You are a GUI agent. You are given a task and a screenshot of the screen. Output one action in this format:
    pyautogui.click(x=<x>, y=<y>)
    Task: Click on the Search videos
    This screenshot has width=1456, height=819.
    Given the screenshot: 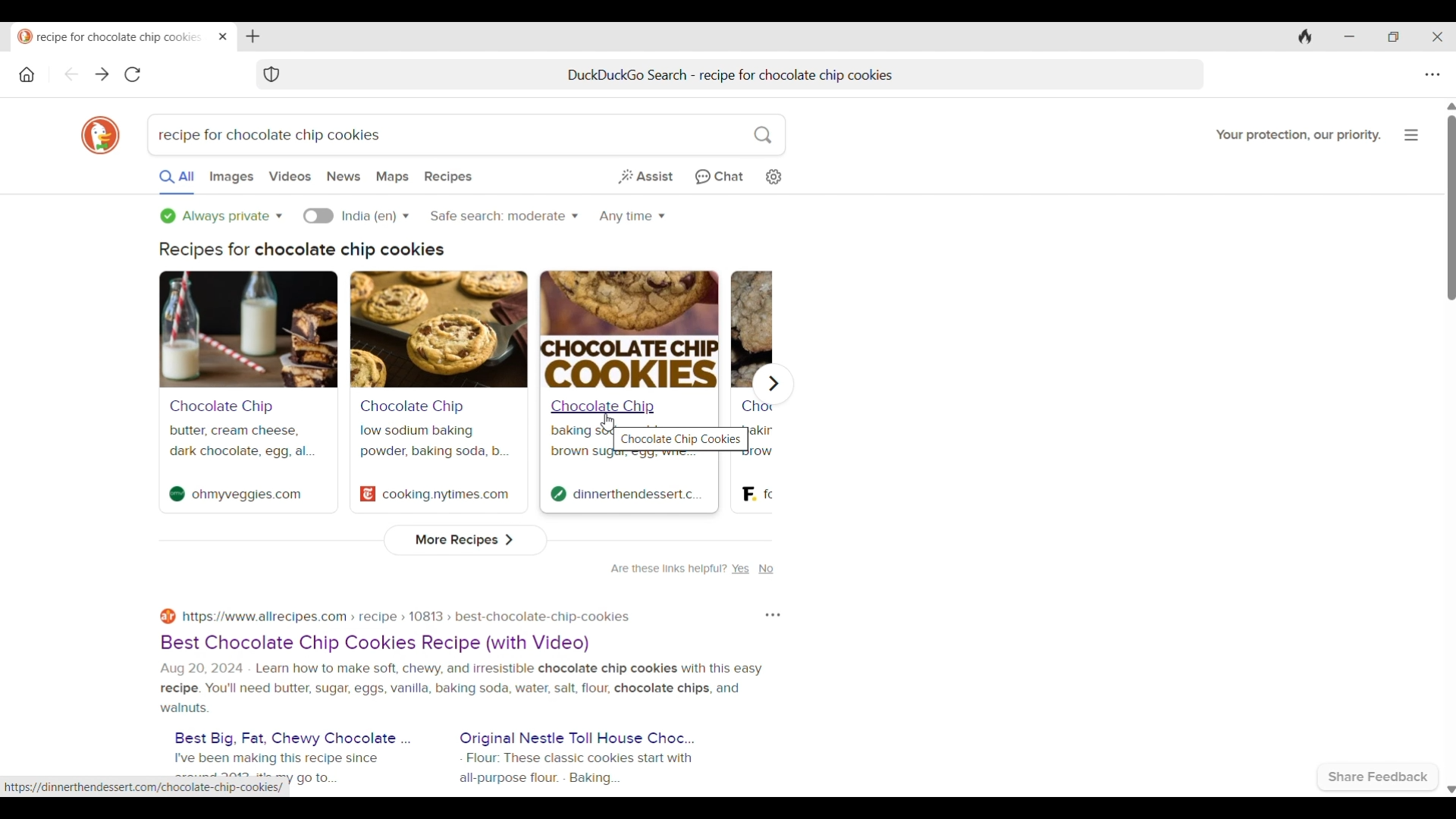 What is the action you would take?
    pyautogui.click(x=290, y=176)
    